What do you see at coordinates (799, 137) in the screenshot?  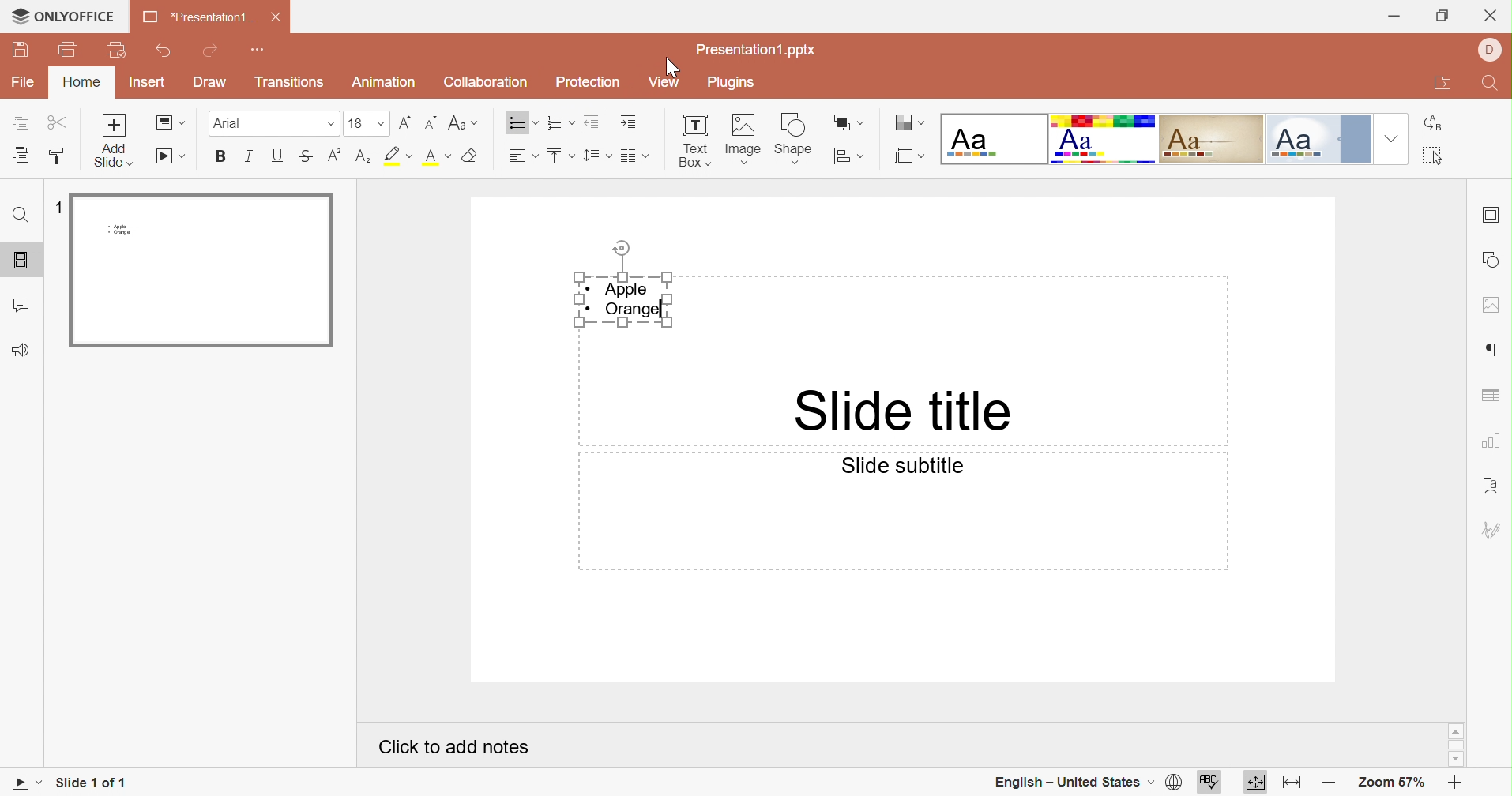 I see `shape` at bounding box center [799, 137].